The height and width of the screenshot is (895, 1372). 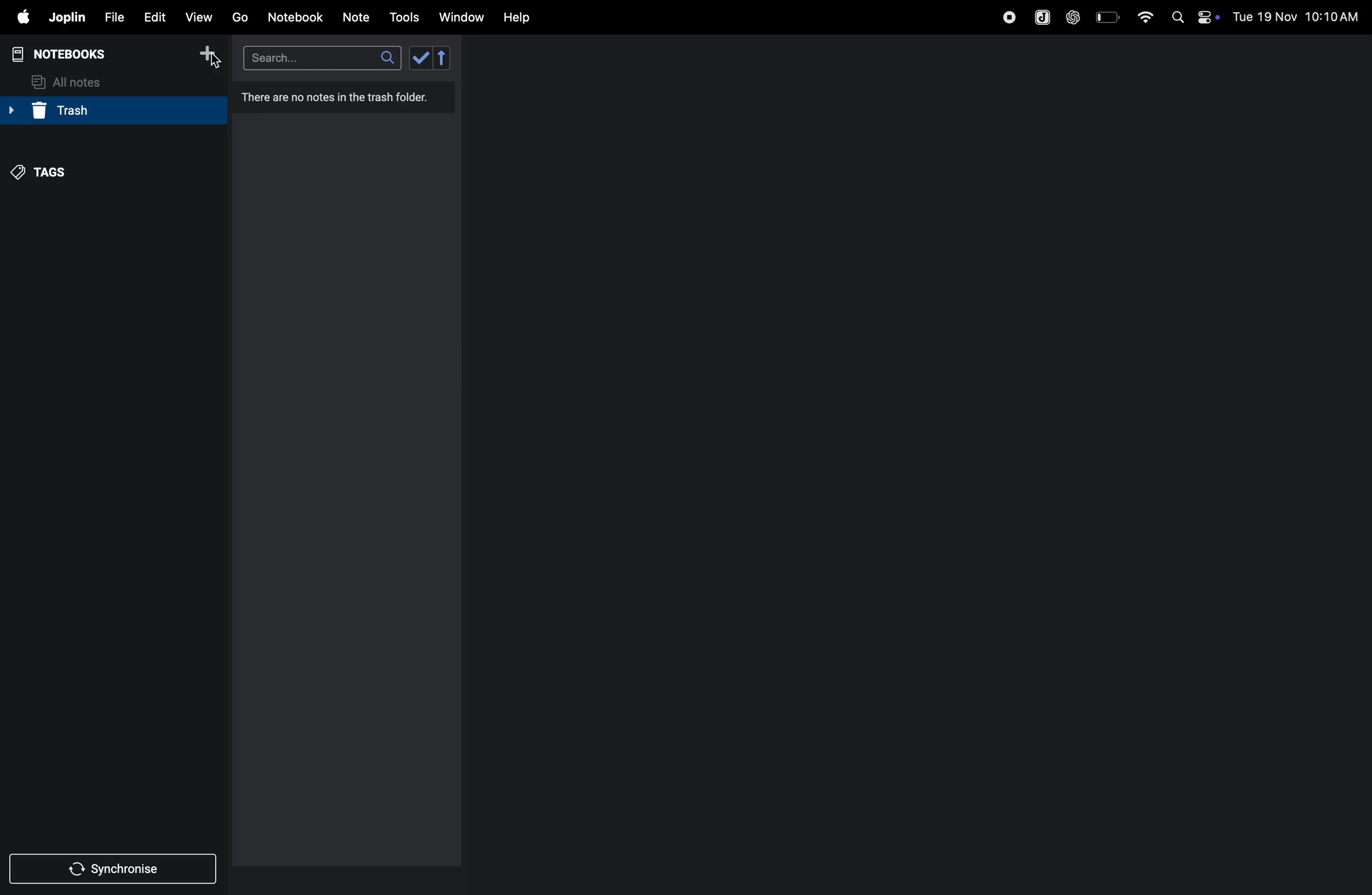 What do you see at coordinates (217, 61) in the screenshot?
I see `Cursor` at bounding box center [217, 61].